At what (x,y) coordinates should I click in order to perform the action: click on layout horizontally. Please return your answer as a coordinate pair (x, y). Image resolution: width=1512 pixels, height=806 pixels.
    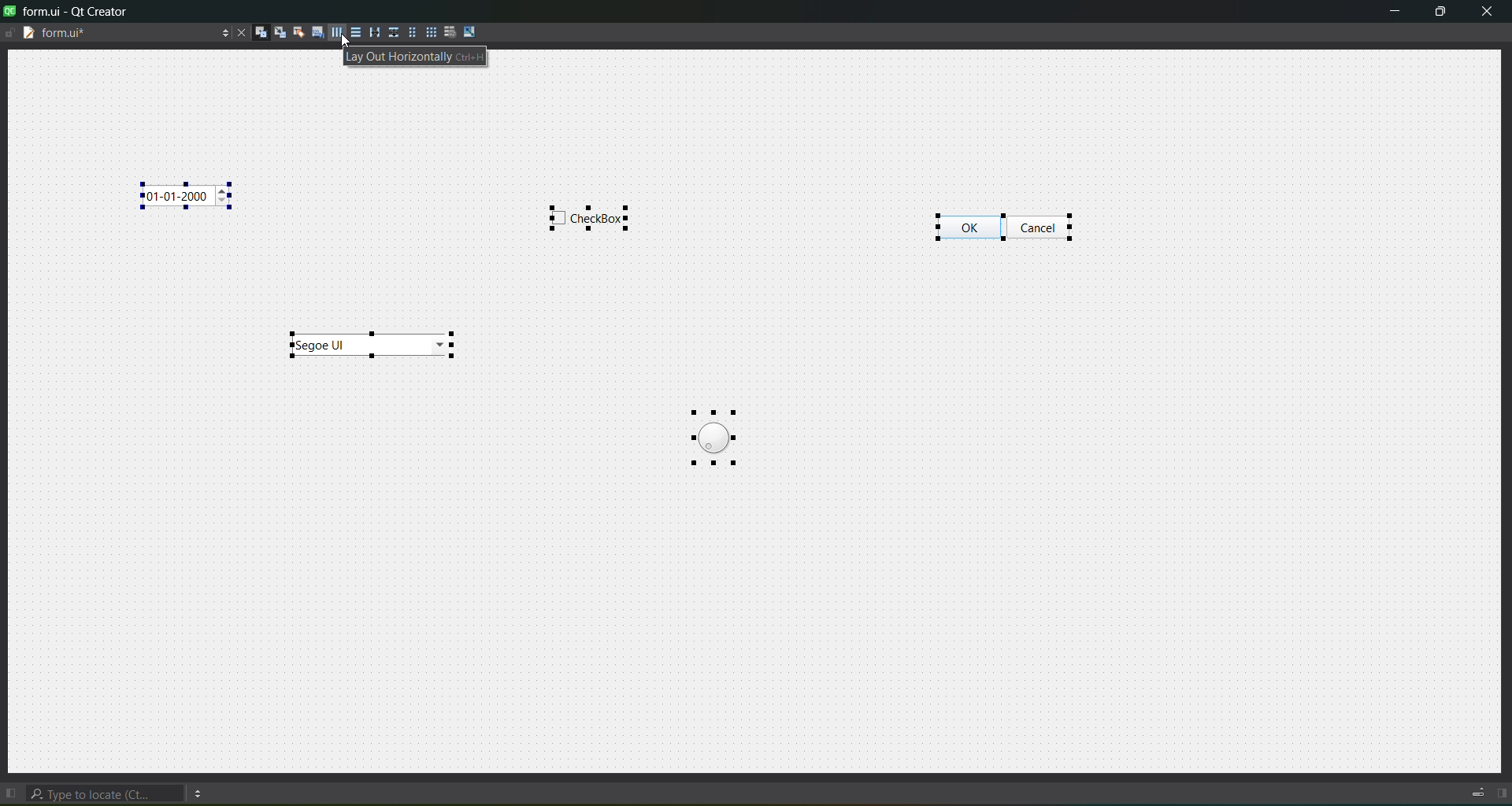
    Looking at the image, I should click on (421, 57).